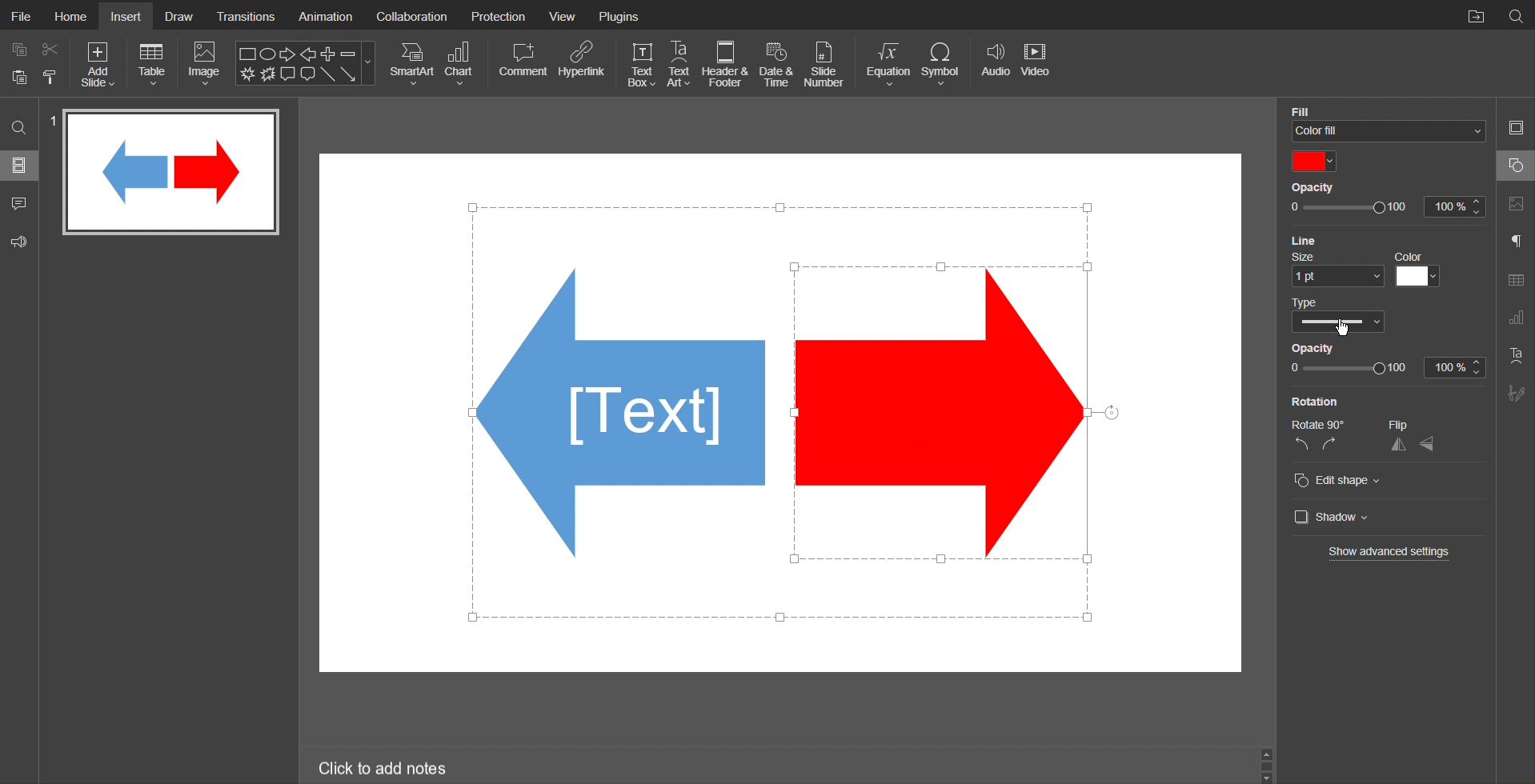 The width and height of the screenshot is (1535, 784). Describe the element at coordinates (1347, 481) in the screenshot. I see `Edit Shape` at that location.